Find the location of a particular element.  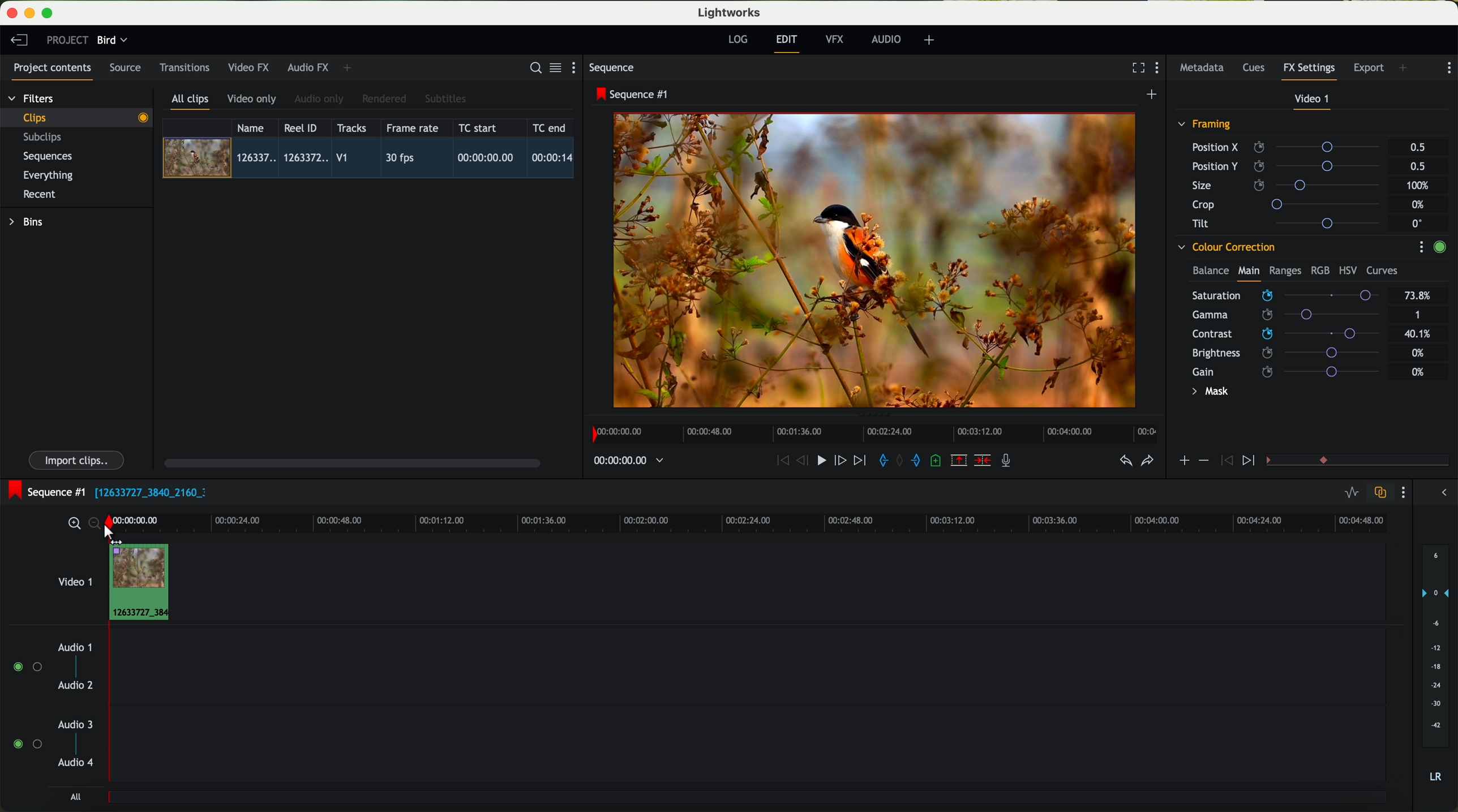

TC start is located at coordinates (479, 127).